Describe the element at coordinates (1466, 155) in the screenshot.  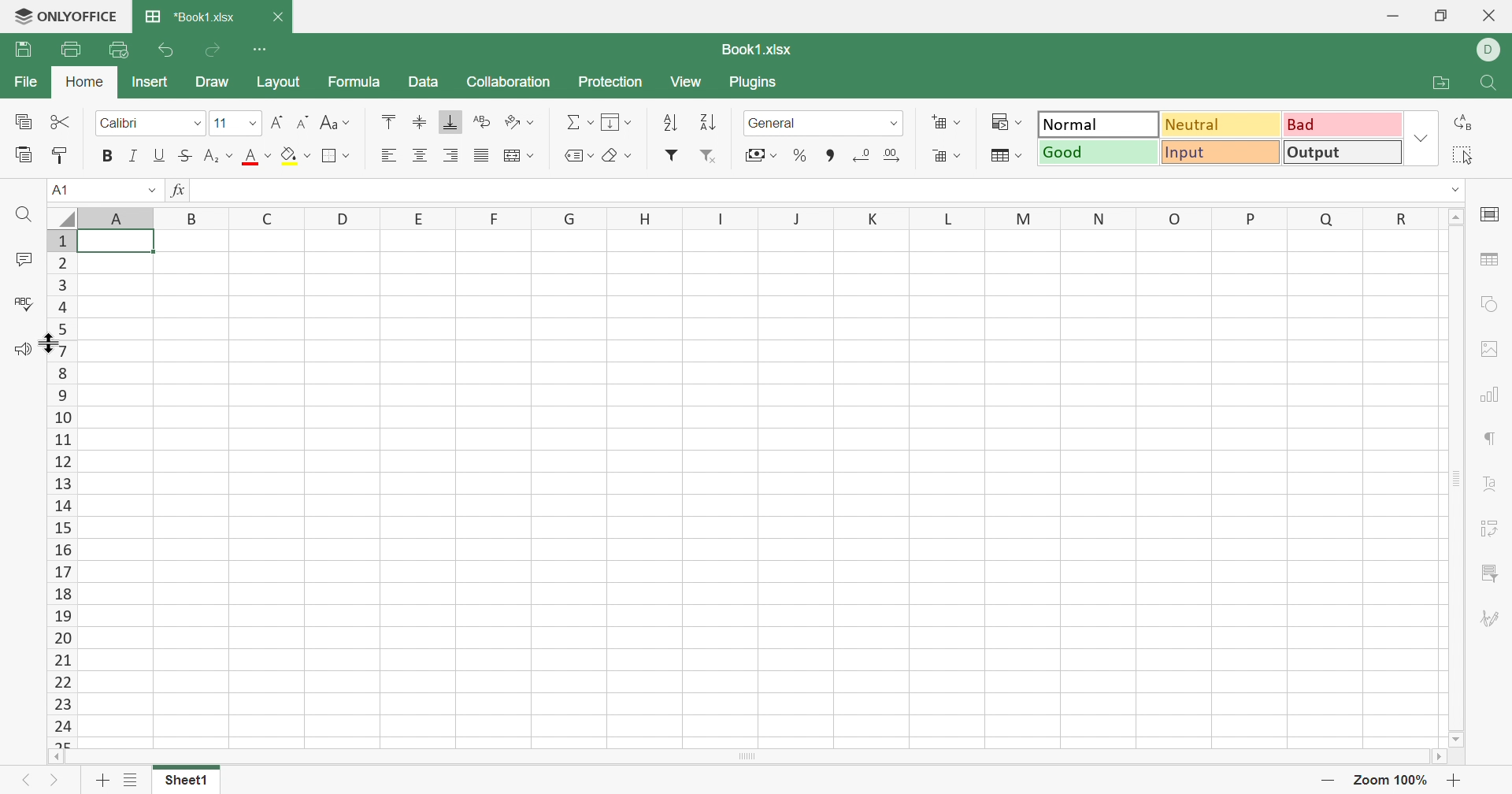
I see `Select all` at that location.